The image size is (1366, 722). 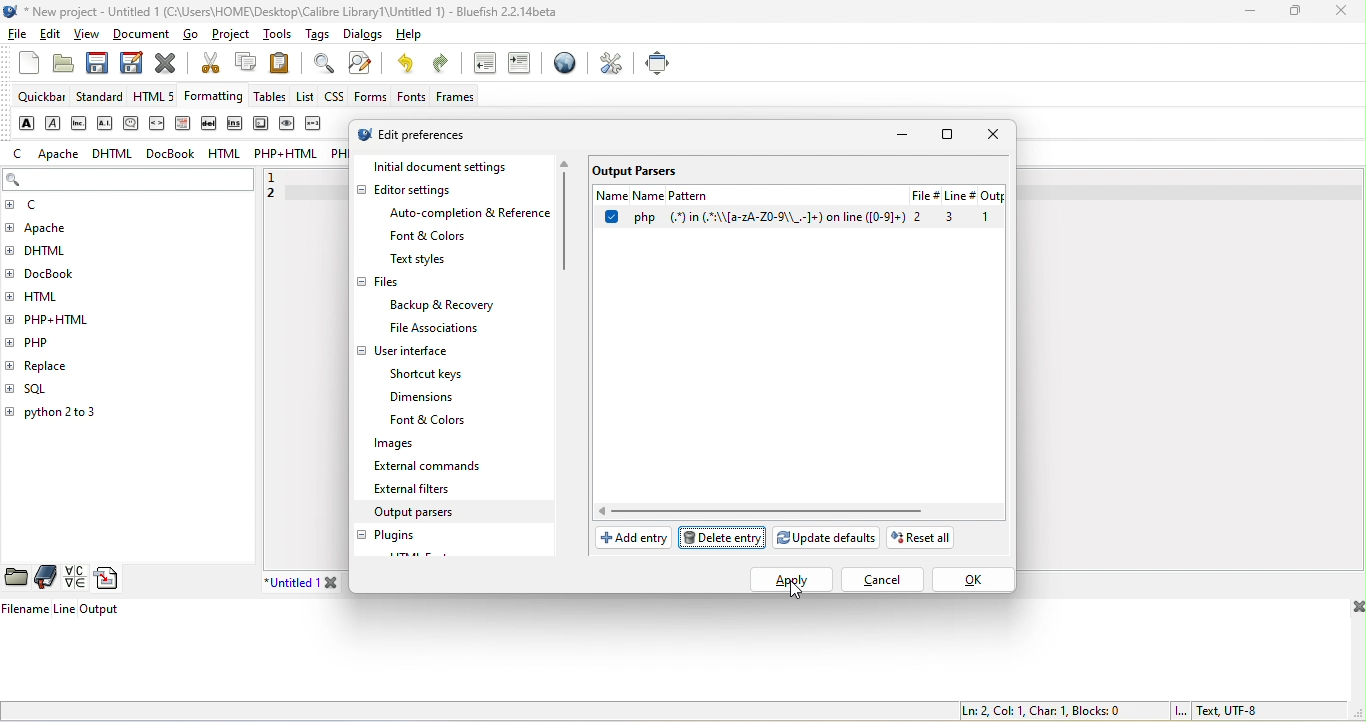 What do you see at coordinates (445, 66) in the screenshot?
I see `redo` at bounding box center [445, 66].